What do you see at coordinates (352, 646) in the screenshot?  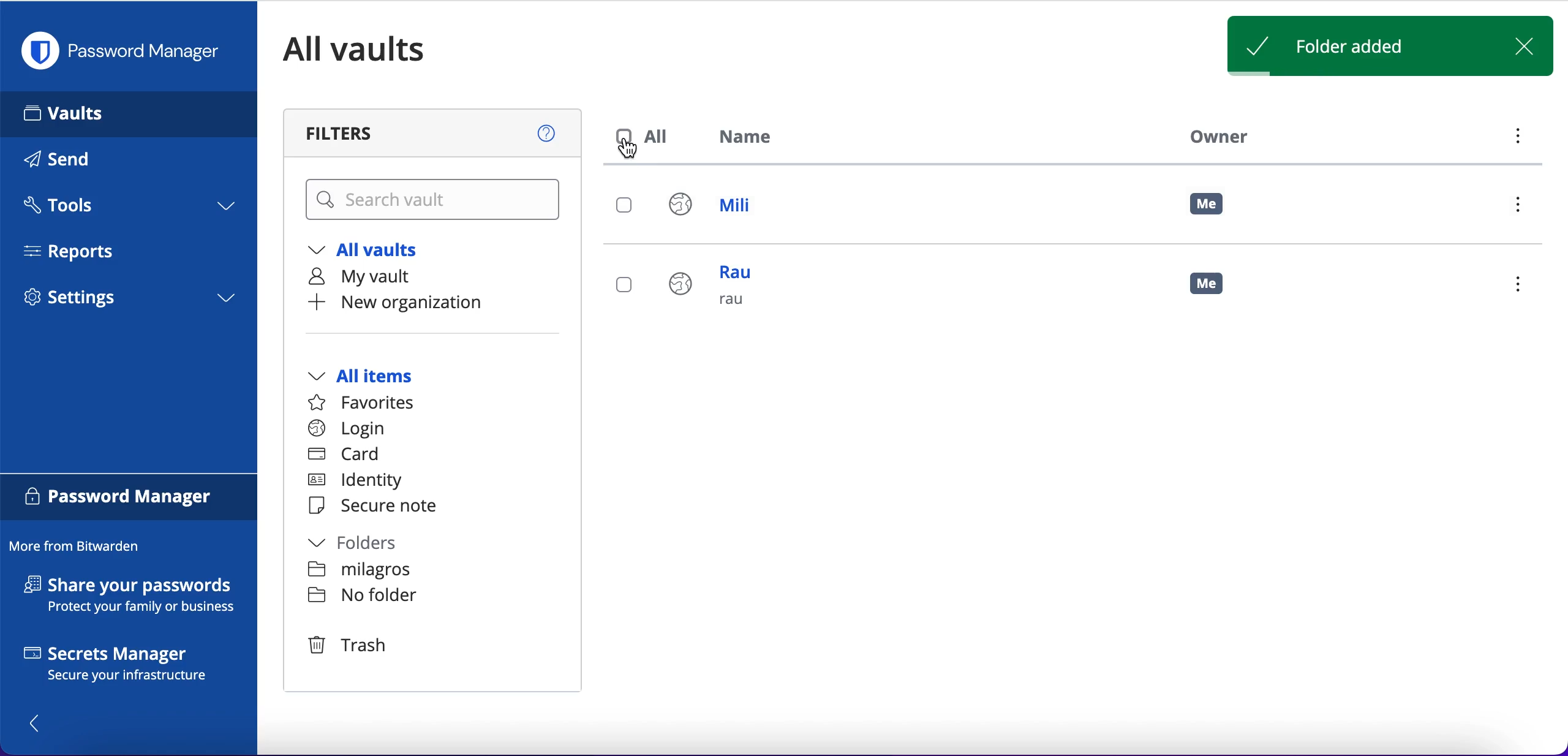 I see `trash` at bounding box center [352, 646].